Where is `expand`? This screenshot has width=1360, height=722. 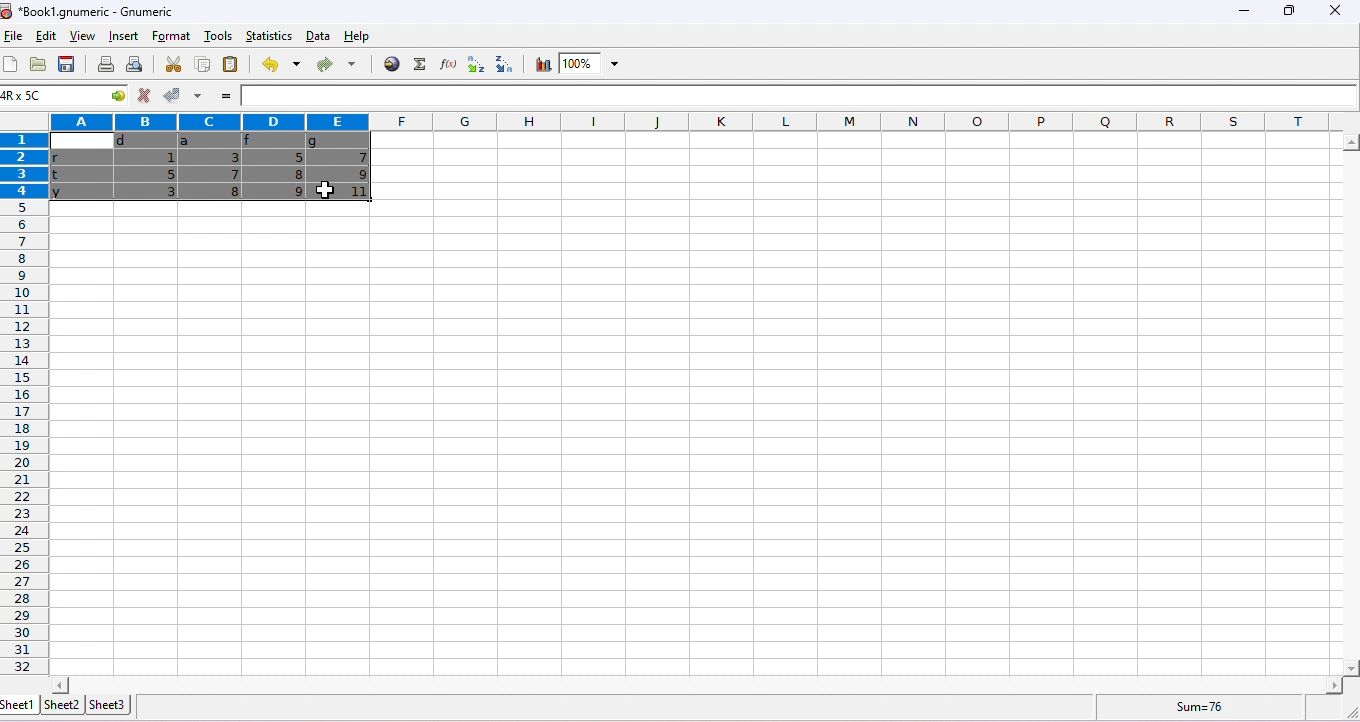 expand is located at coordinates (1345, 711).